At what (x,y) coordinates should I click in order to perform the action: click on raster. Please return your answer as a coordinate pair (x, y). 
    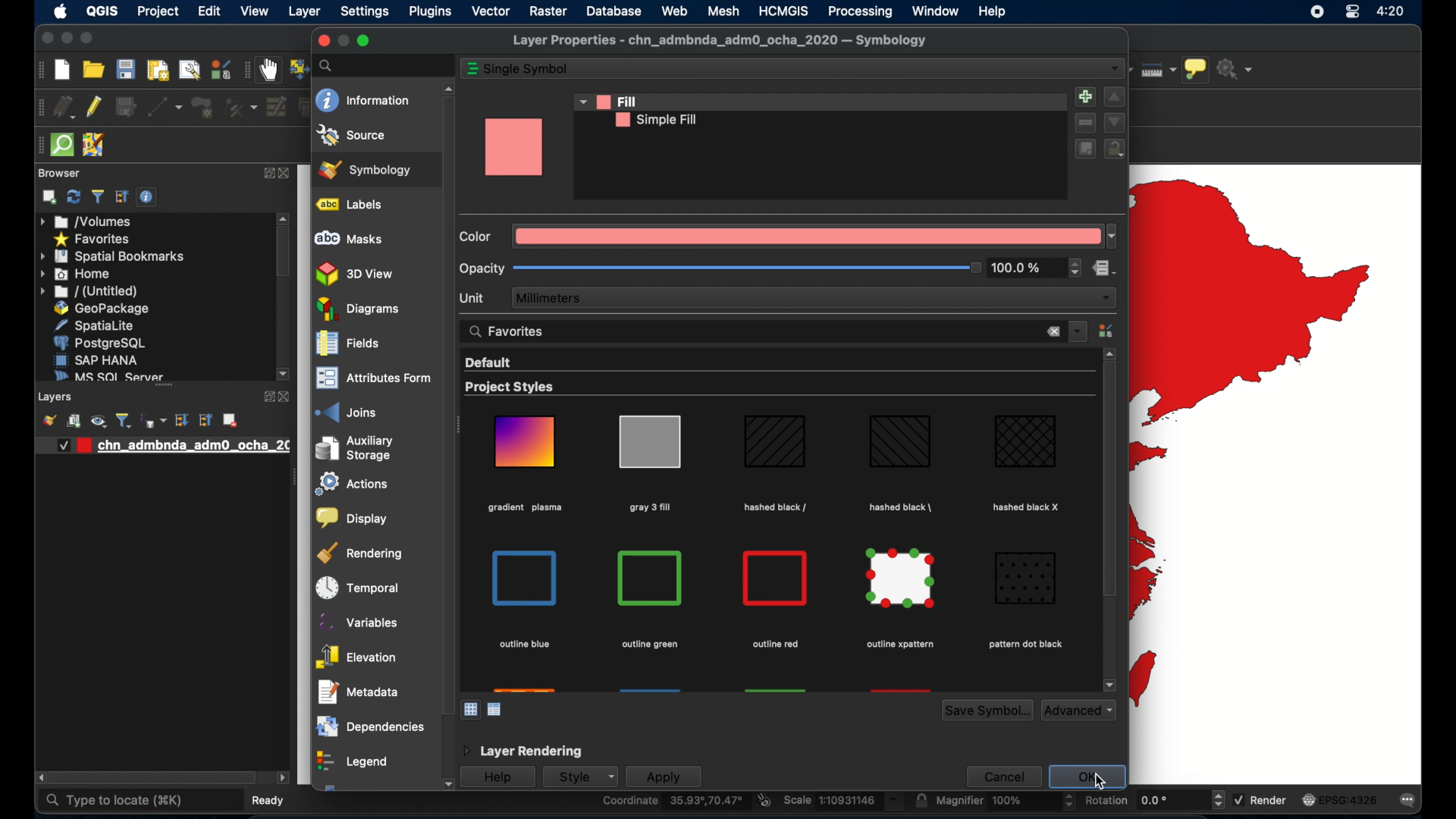
    Looking at the image, I should click on (548, 13).